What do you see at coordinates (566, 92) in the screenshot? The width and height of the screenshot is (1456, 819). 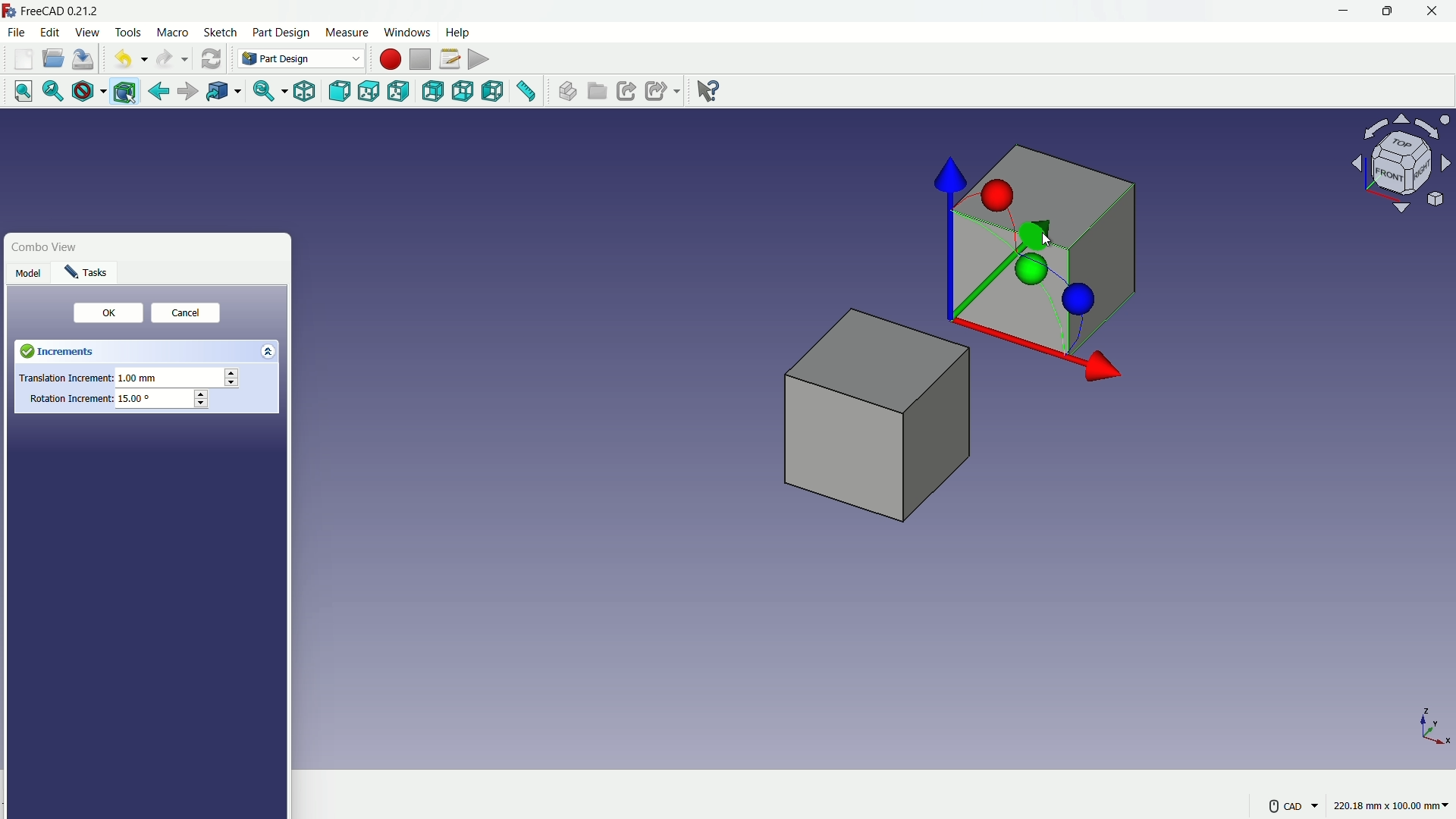 I see `create part` at bounding box center [566, 92].